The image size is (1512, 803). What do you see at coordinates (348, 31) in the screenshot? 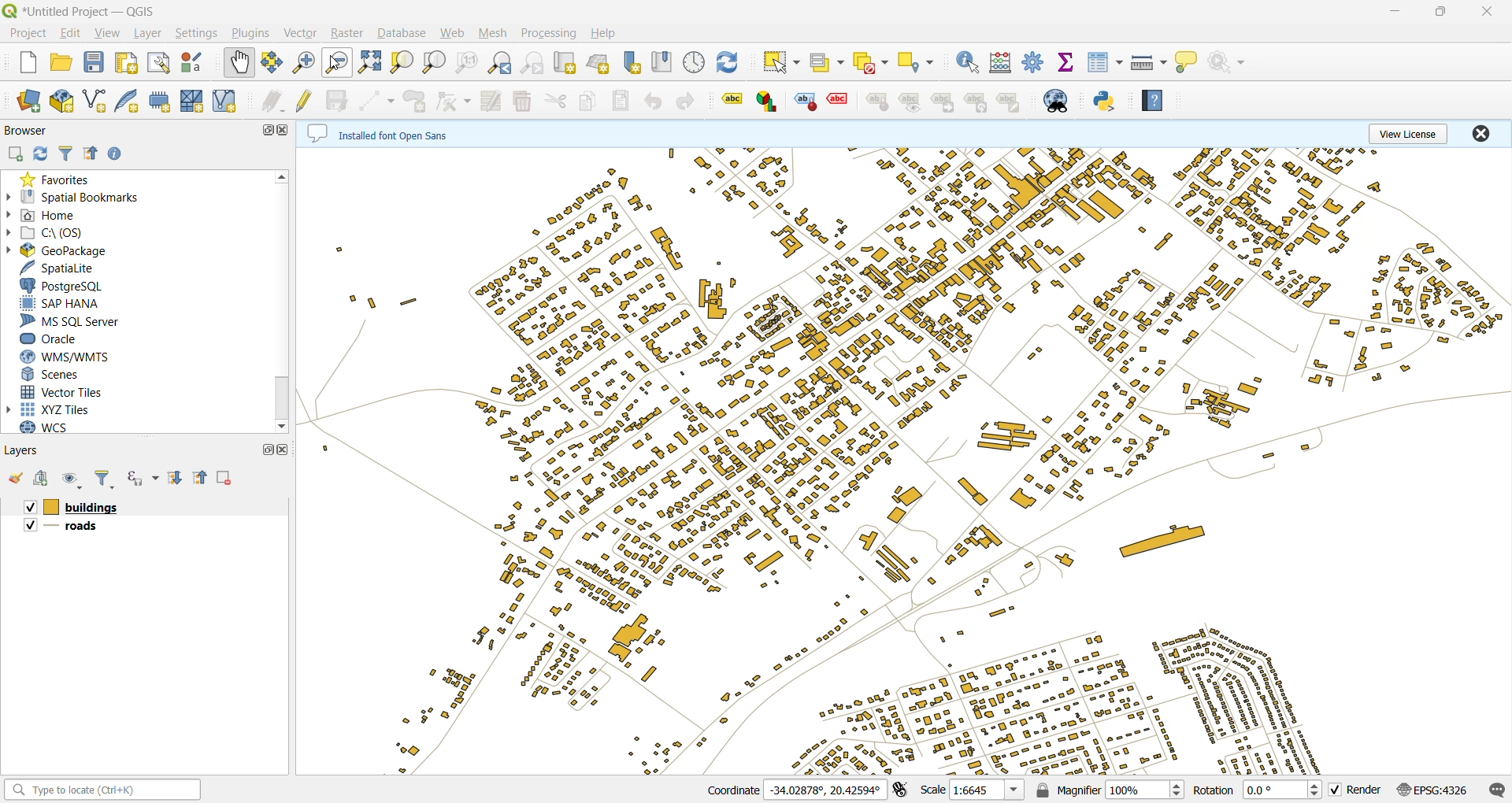
I see `raster` at bounding box center [348, 31].